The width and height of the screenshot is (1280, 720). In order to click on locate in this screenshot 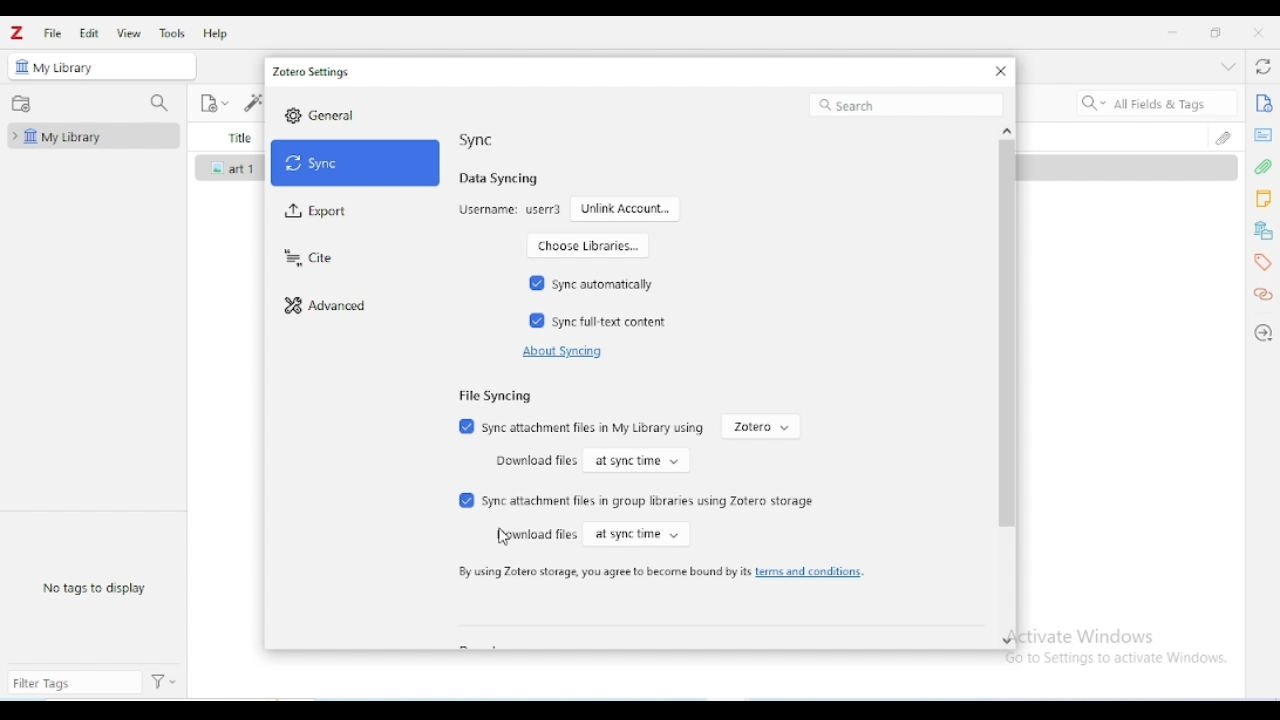, I will do `click(1264, 333)`.